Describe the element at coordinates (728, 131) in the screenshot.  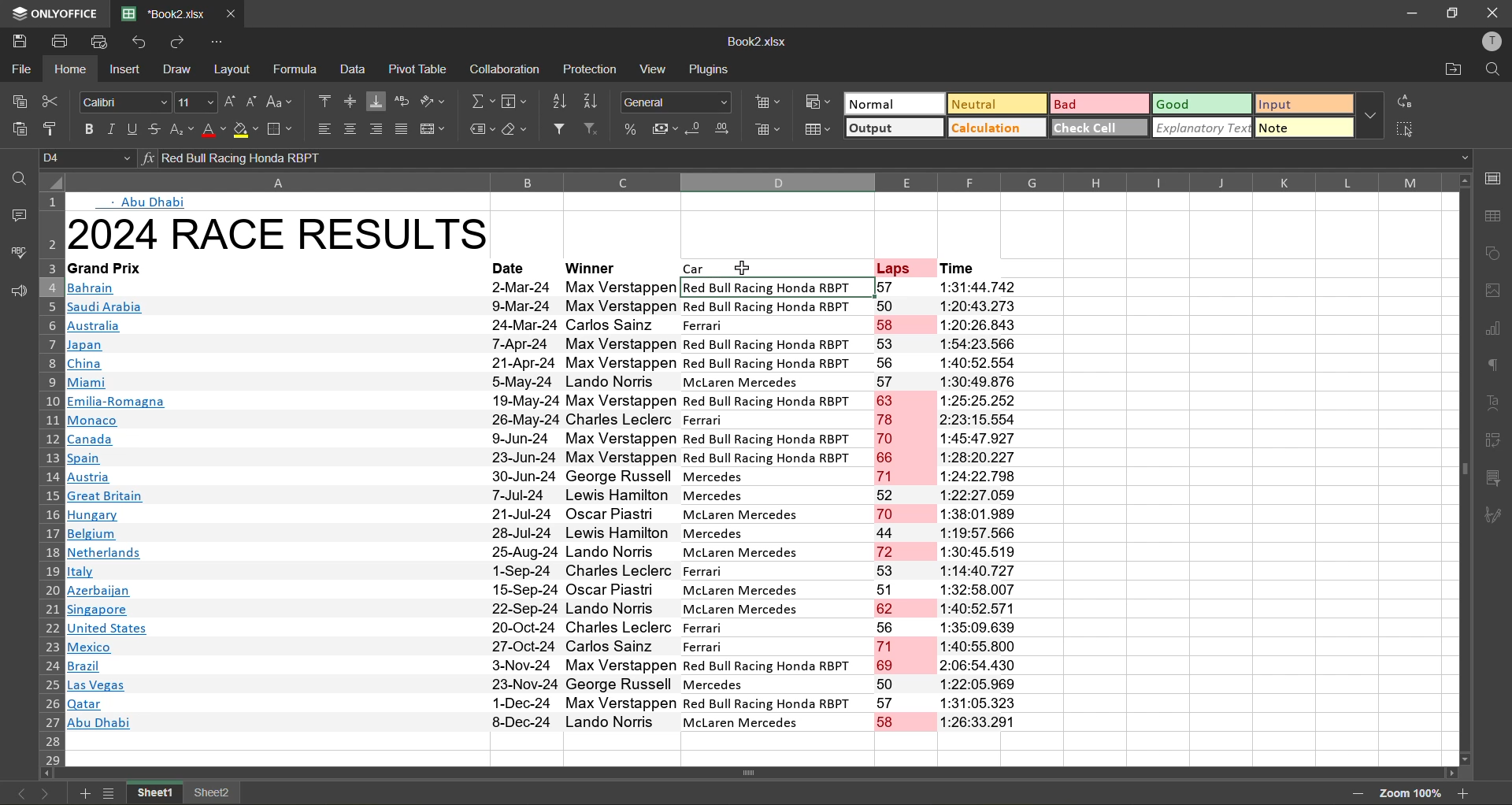
I see `increase decimal` at that location.